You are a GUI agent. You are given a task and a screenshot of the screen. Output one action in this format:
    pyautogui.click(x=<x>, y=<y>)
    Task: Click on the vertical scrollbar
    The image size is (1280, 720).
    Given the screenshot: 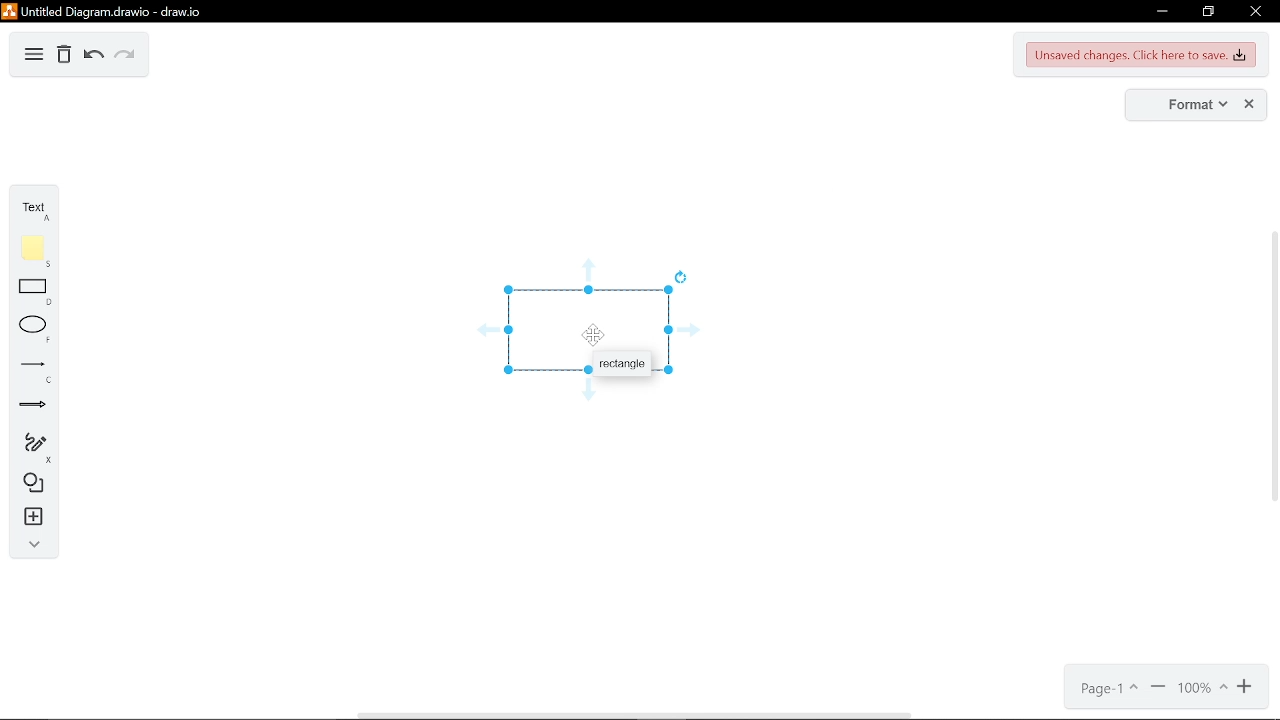 What is the action you would take?
    pyautogui.click(x=1272, y=371)
    